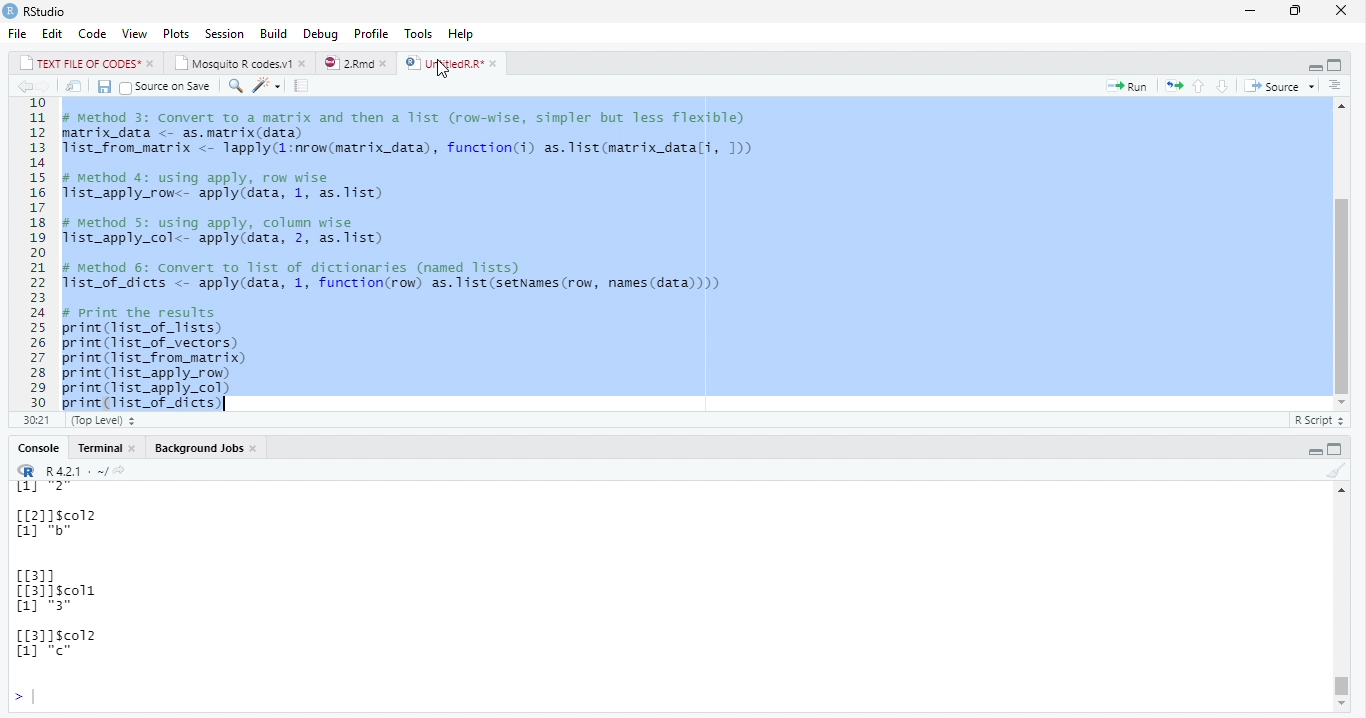 This screenshot has height=718, width=1366. What do you see at coordinates (239, 62) in the screenshot?
I see `Mosquito R codes.v1` at bounding box center [239, 62].